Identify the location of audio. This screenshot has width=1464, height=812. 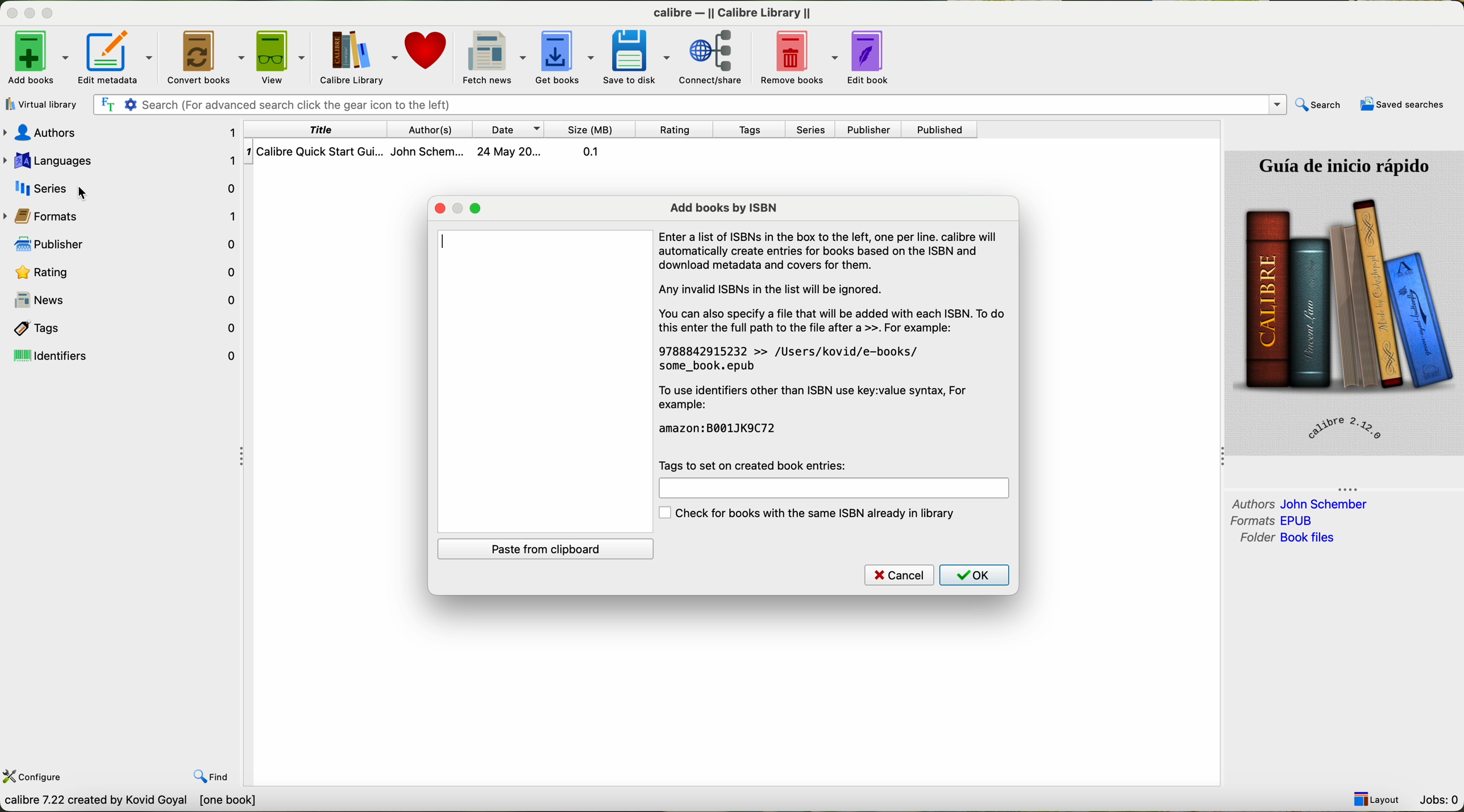
(129, 134).